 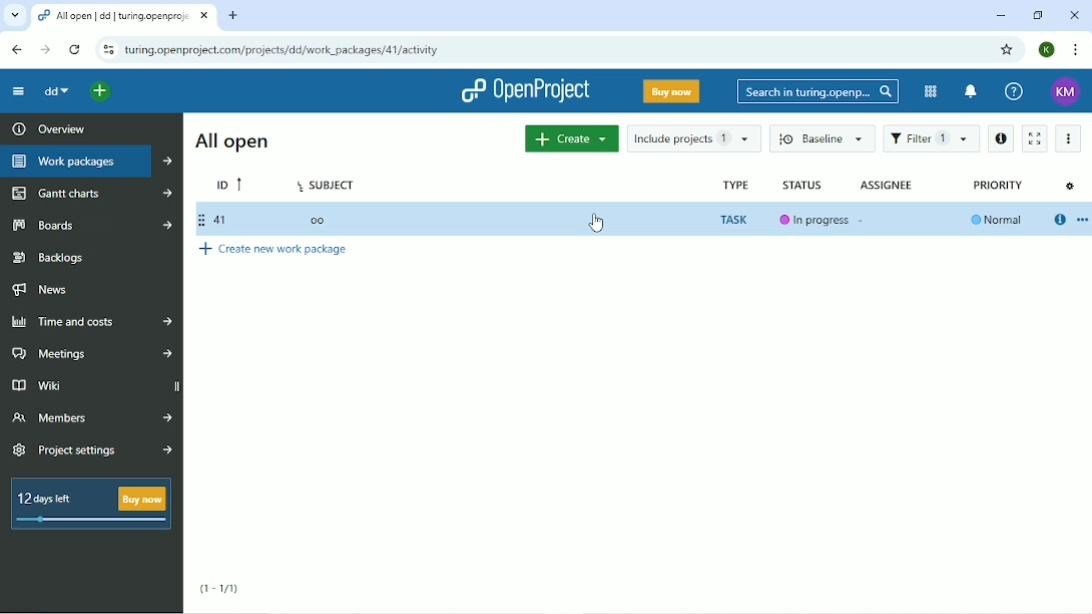 I want to click on Status, so click(x=804, y=184).